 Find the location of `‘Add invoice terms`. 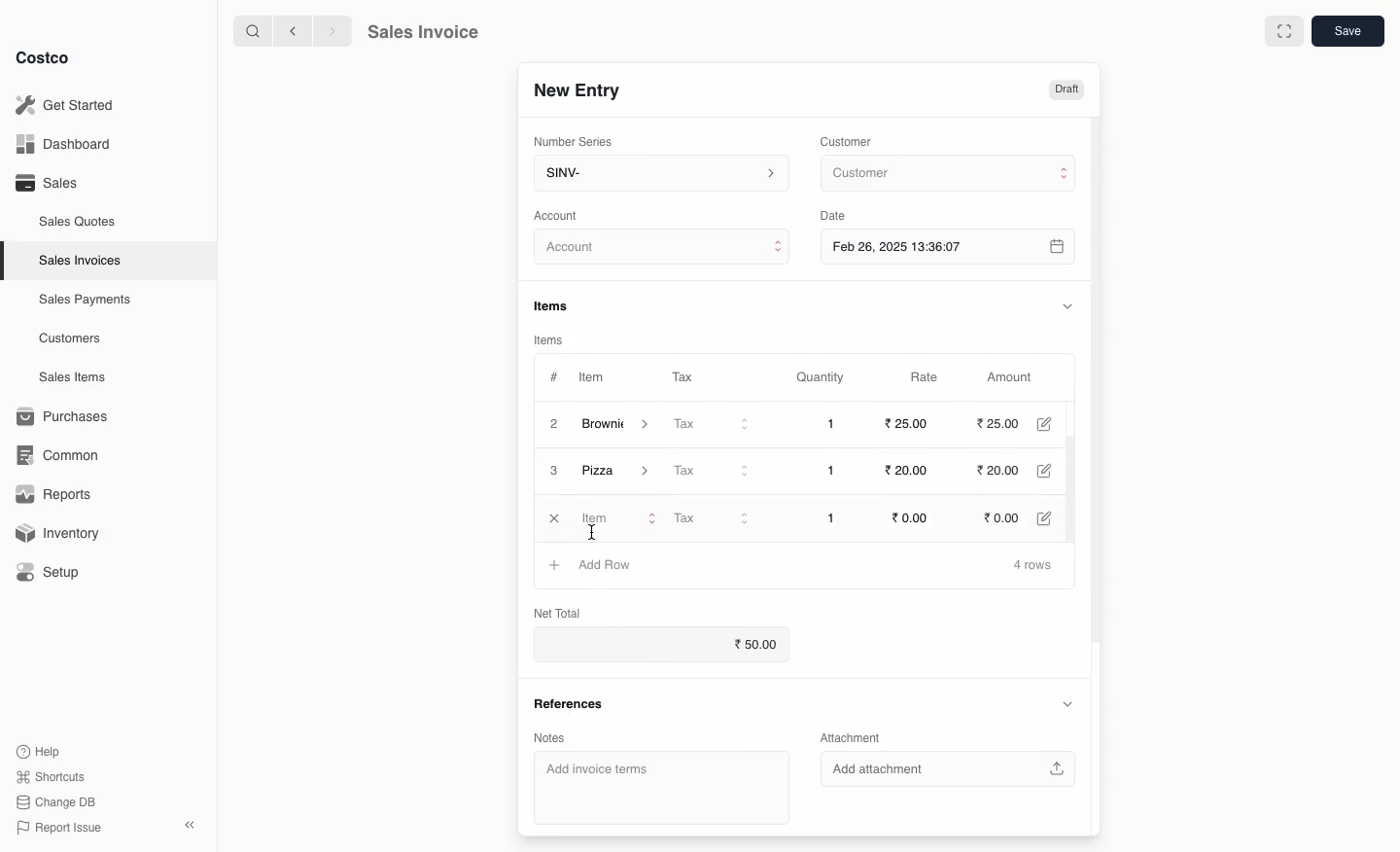

‘Add invoice terms is located at coordinates (654, 787).